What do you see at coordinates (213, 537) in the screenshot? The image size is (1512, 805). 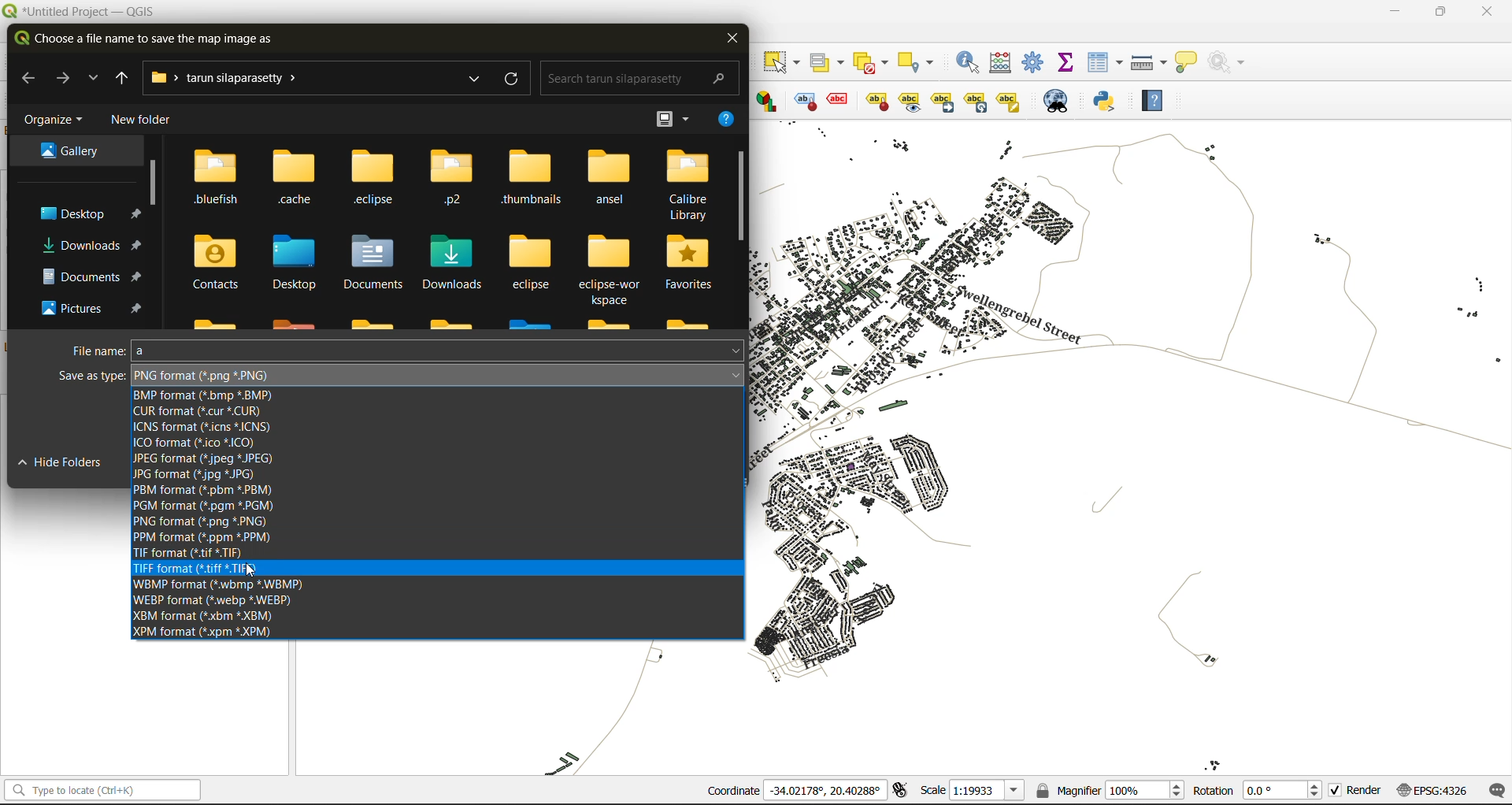 I see `ppm` at bounding box center [213, 537].